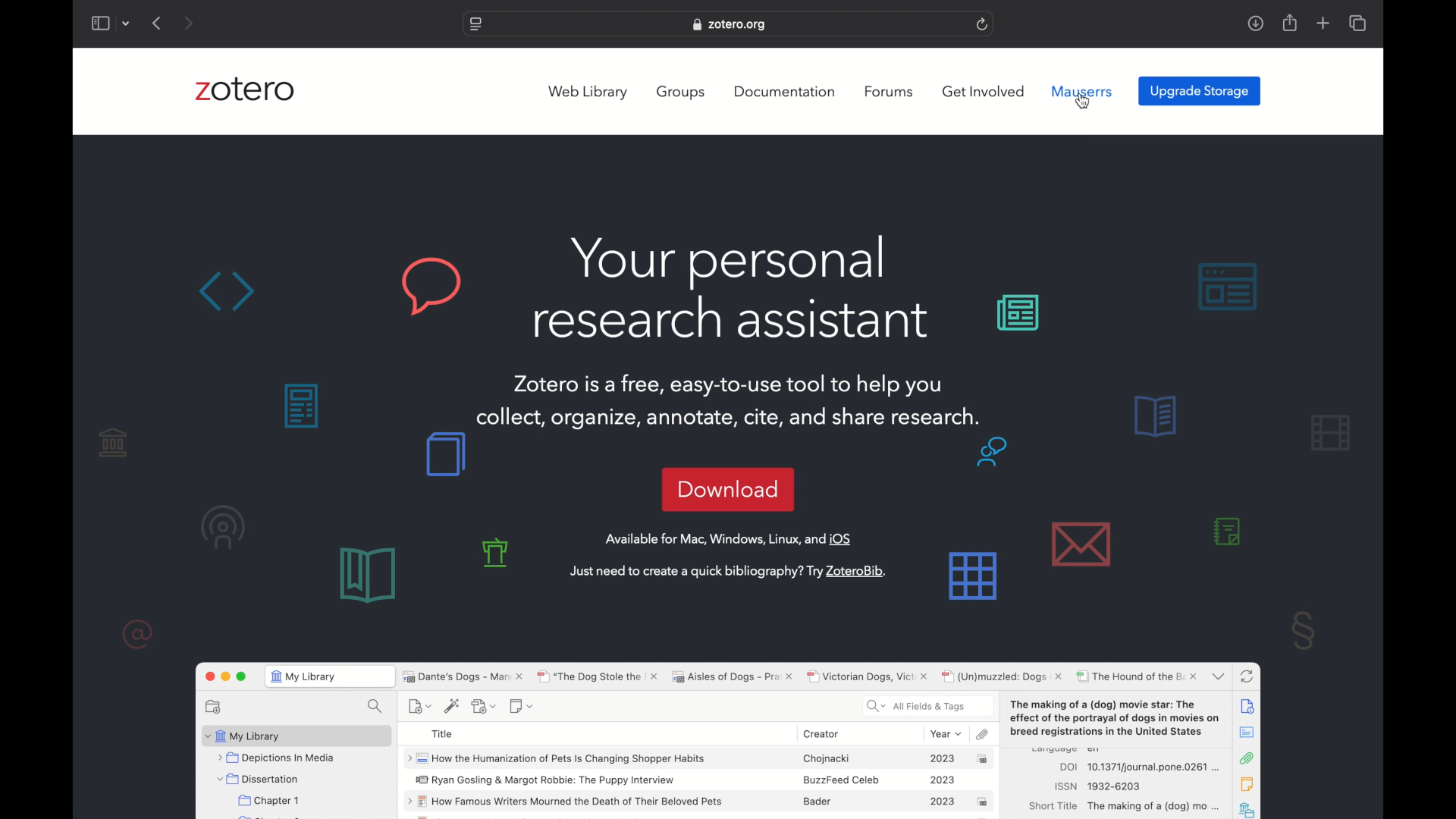 The height and width of the screenshot is (819, 1456). I want to click on web address, so click(731, 26).